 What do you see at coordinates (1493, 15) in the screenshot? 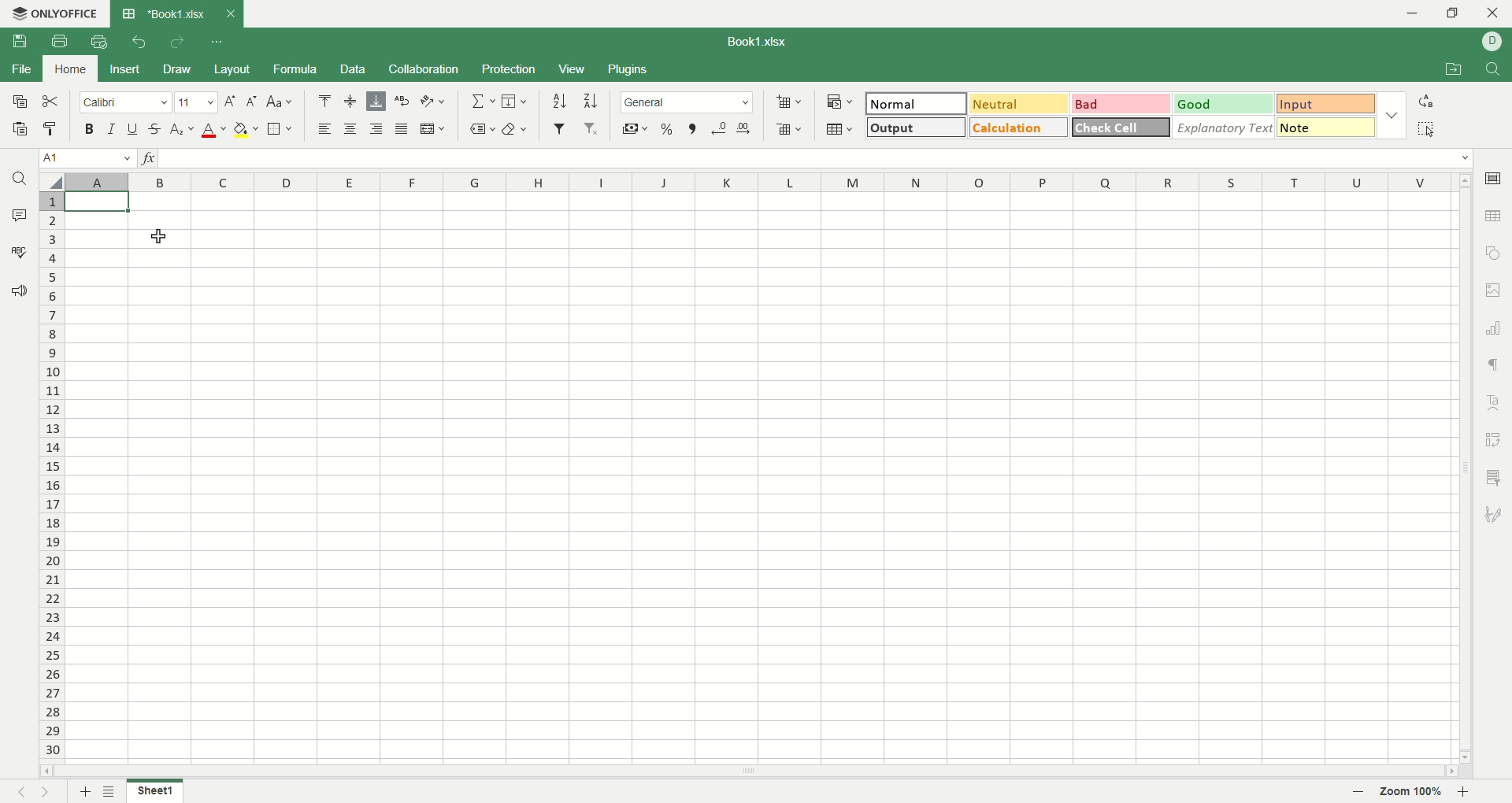
I see `close` at bounding box center [1493, 15].